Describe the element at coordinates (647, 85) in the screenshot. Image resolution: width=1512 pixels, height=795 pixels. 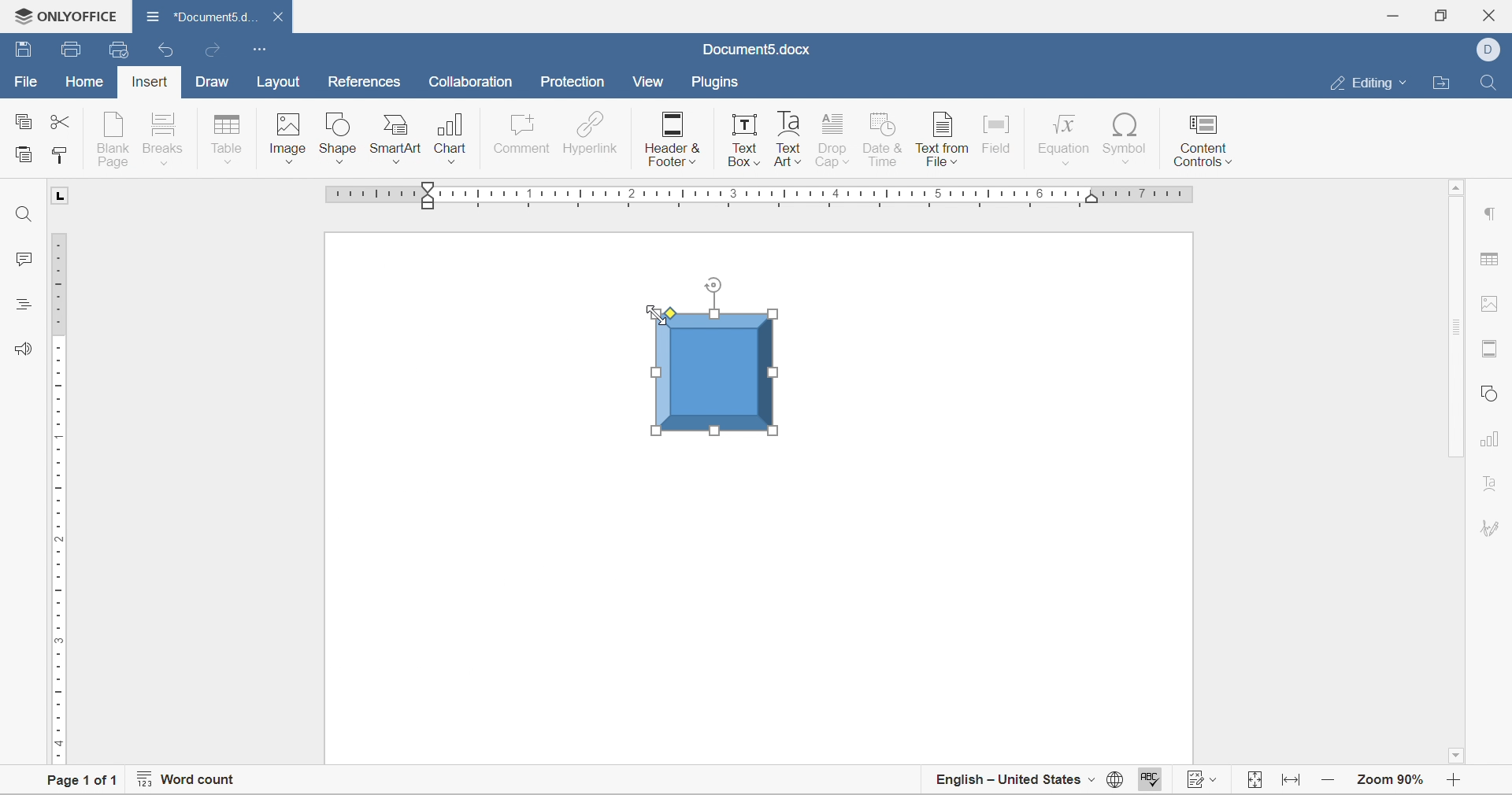
I see `view` at that location.